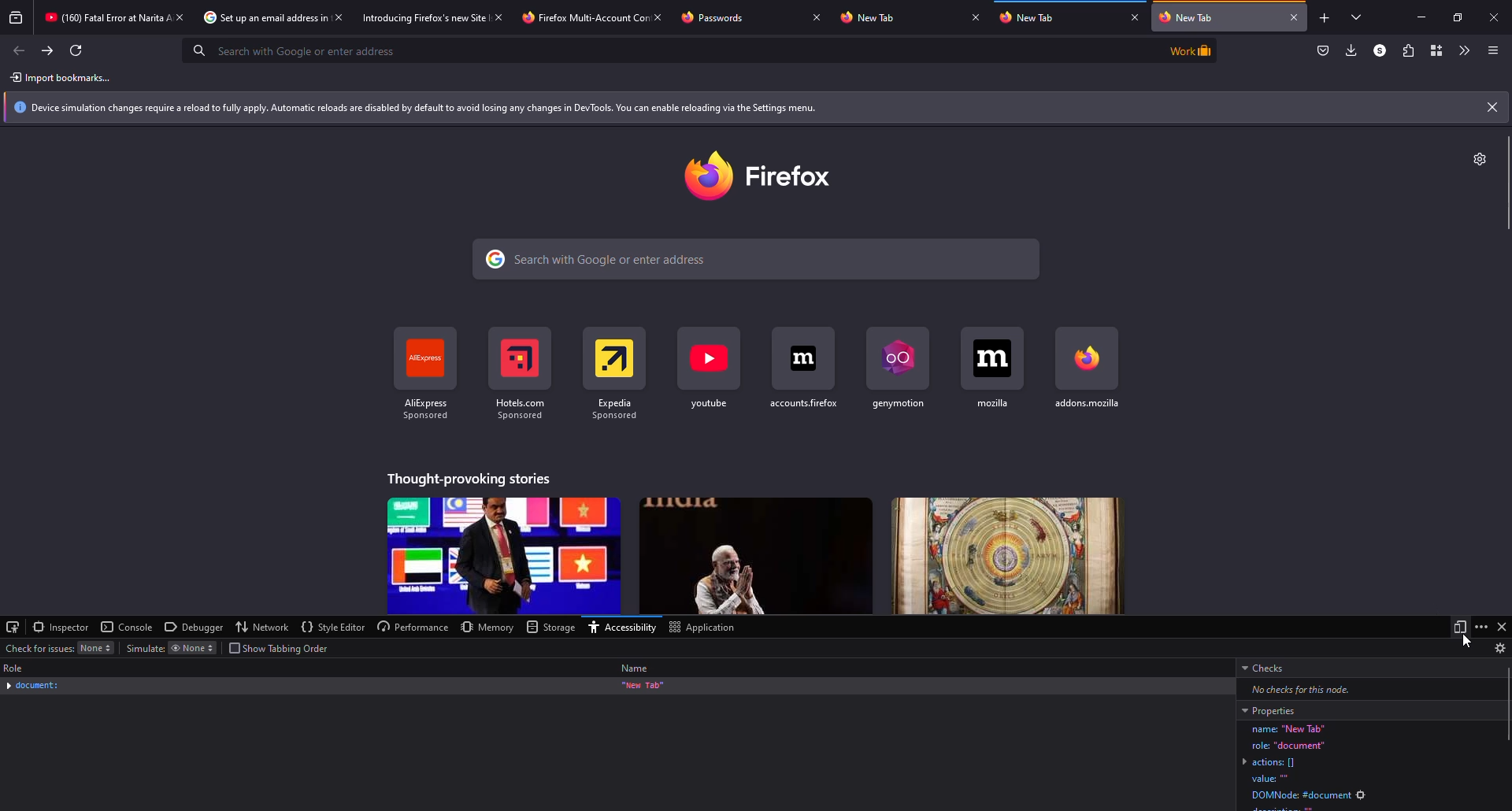  What do you see at coordinates (487, 628) in the screenshot?
I see `memory` at bounding box center [487, 628].